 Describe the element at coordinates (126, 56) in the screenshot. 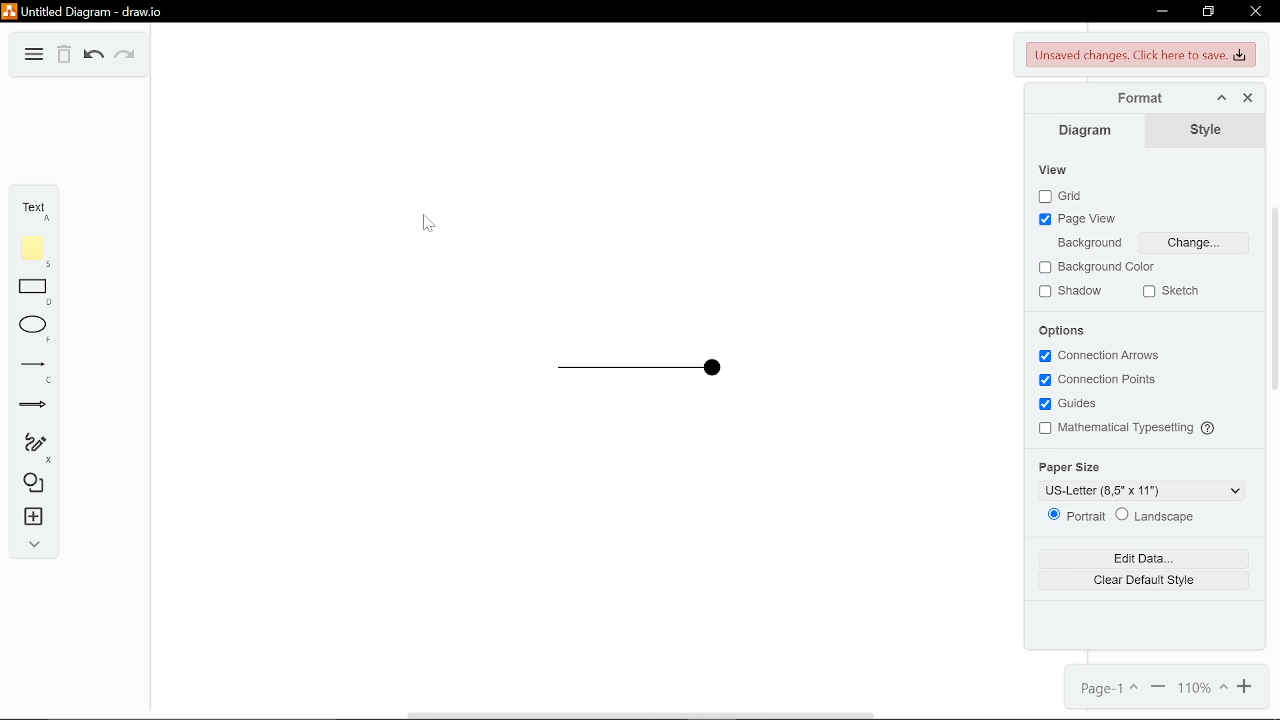

I see `Redo` at that location.